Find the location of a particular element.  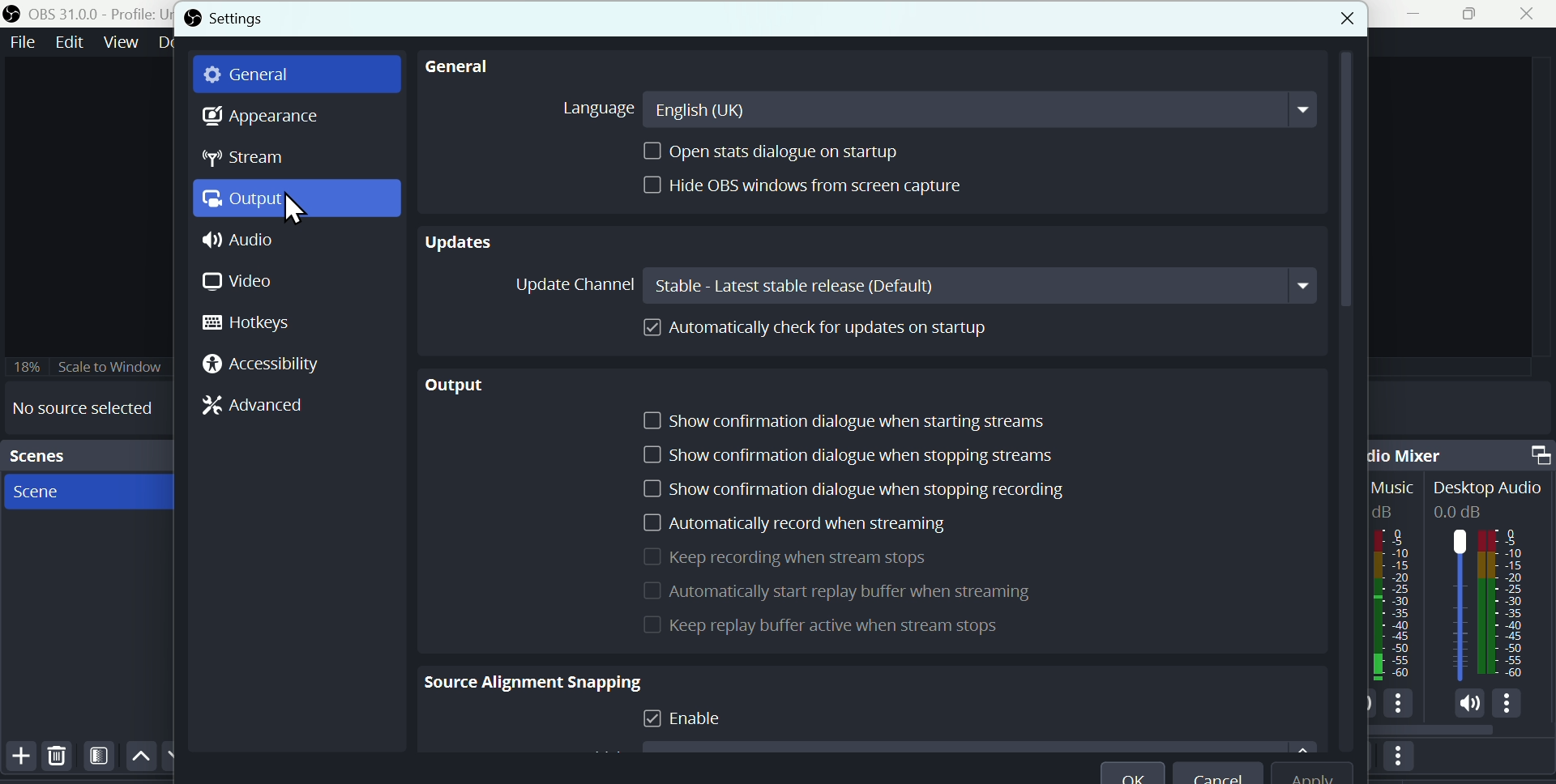

Audio mixer is located at coordinates (1459, 452).